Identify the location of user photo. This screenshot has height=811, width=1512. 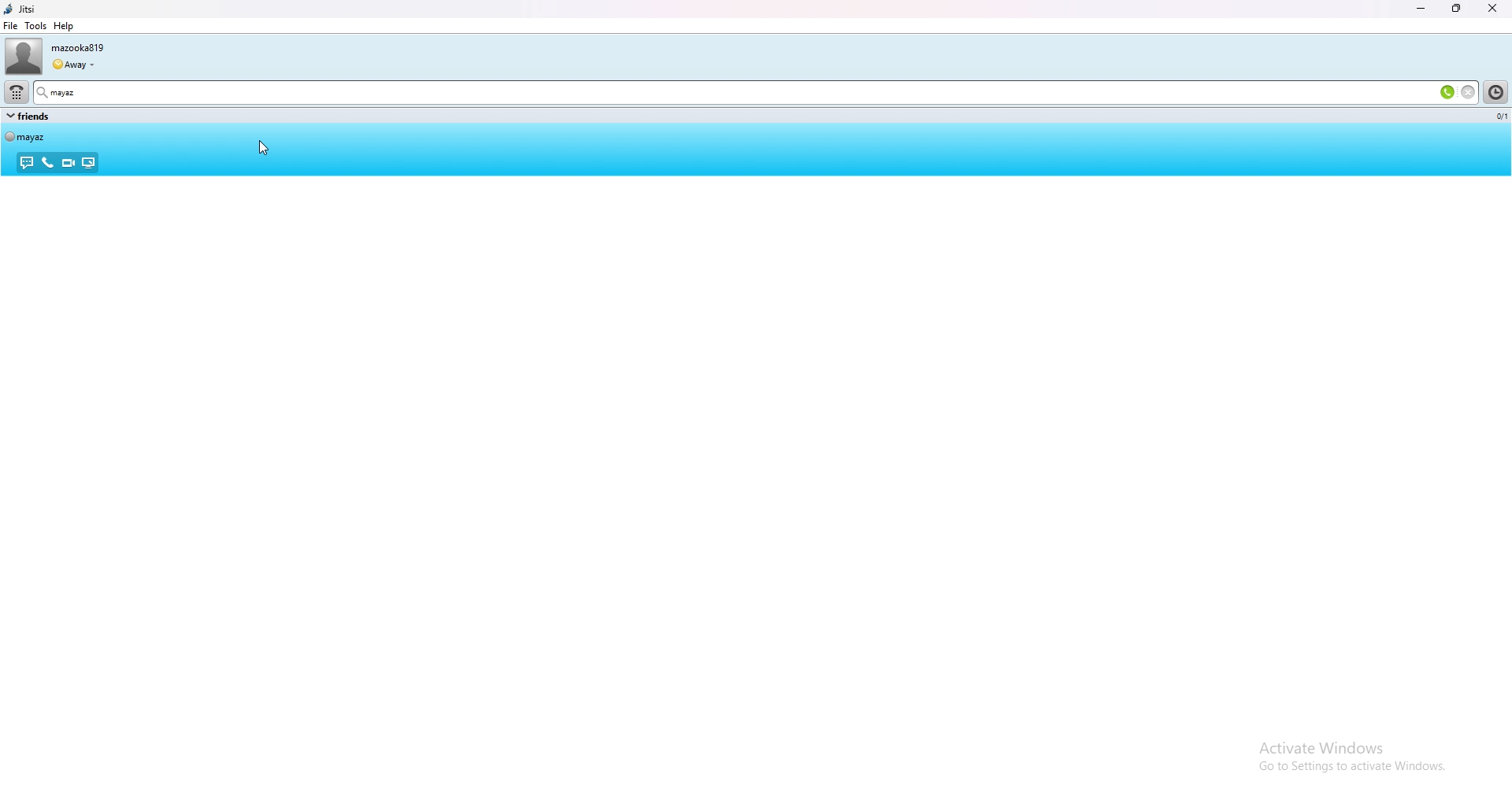
(21, 56).